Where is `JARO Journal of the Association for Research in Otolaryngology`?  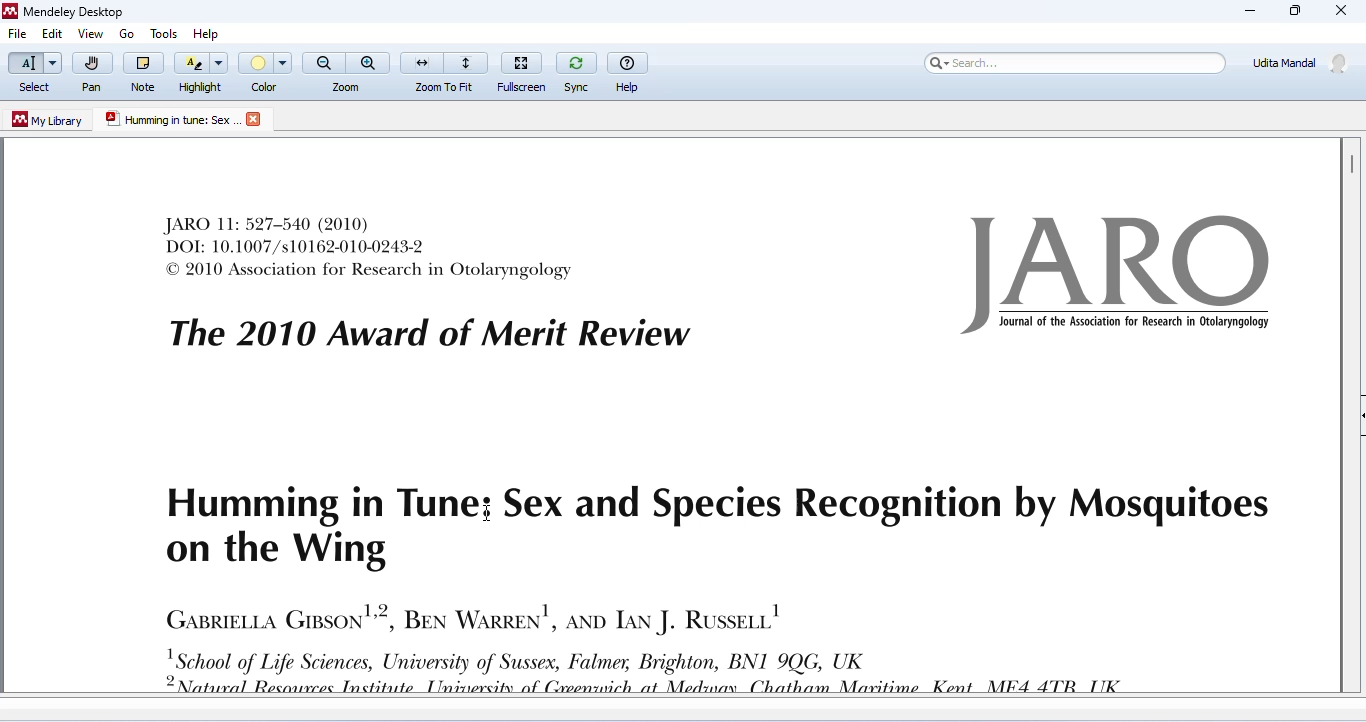 JARO Journal of the Association for Research in Otolaryngology is located at coordinates (1122, 275).